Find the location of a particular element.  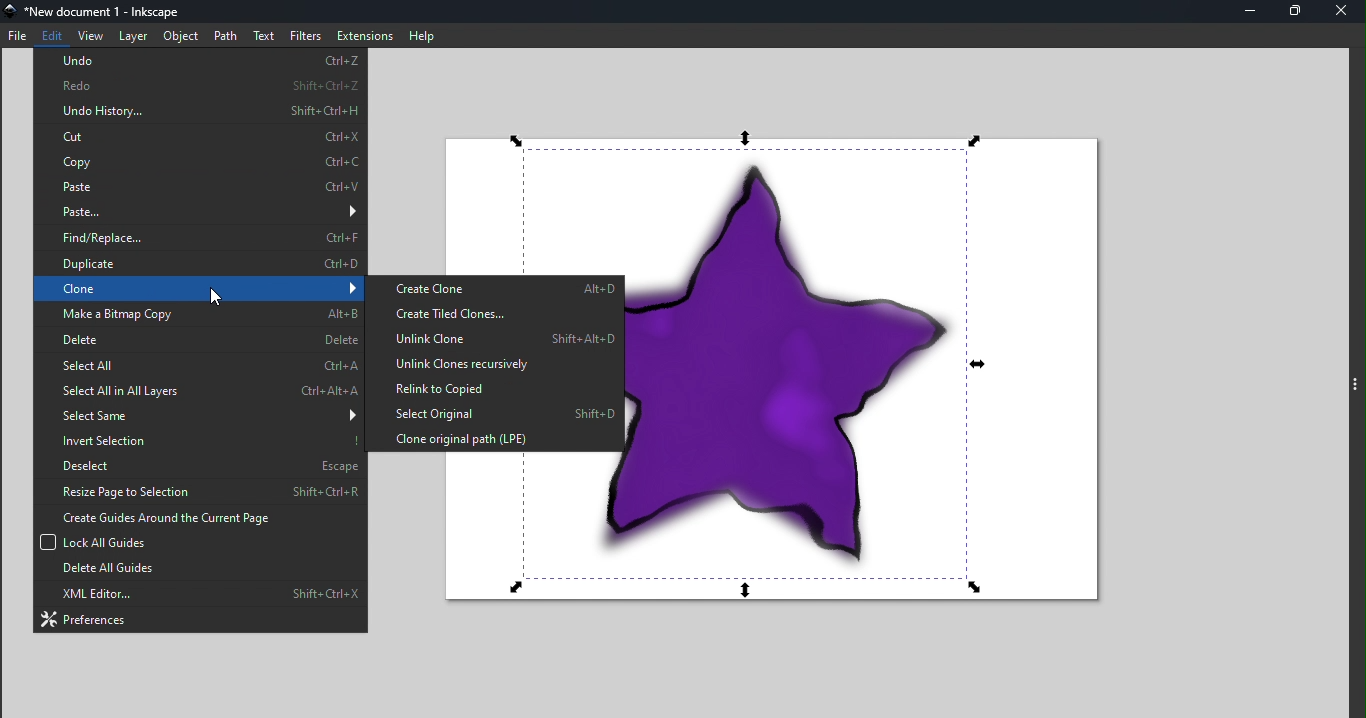

undo history is located at coordinates (201, 110).